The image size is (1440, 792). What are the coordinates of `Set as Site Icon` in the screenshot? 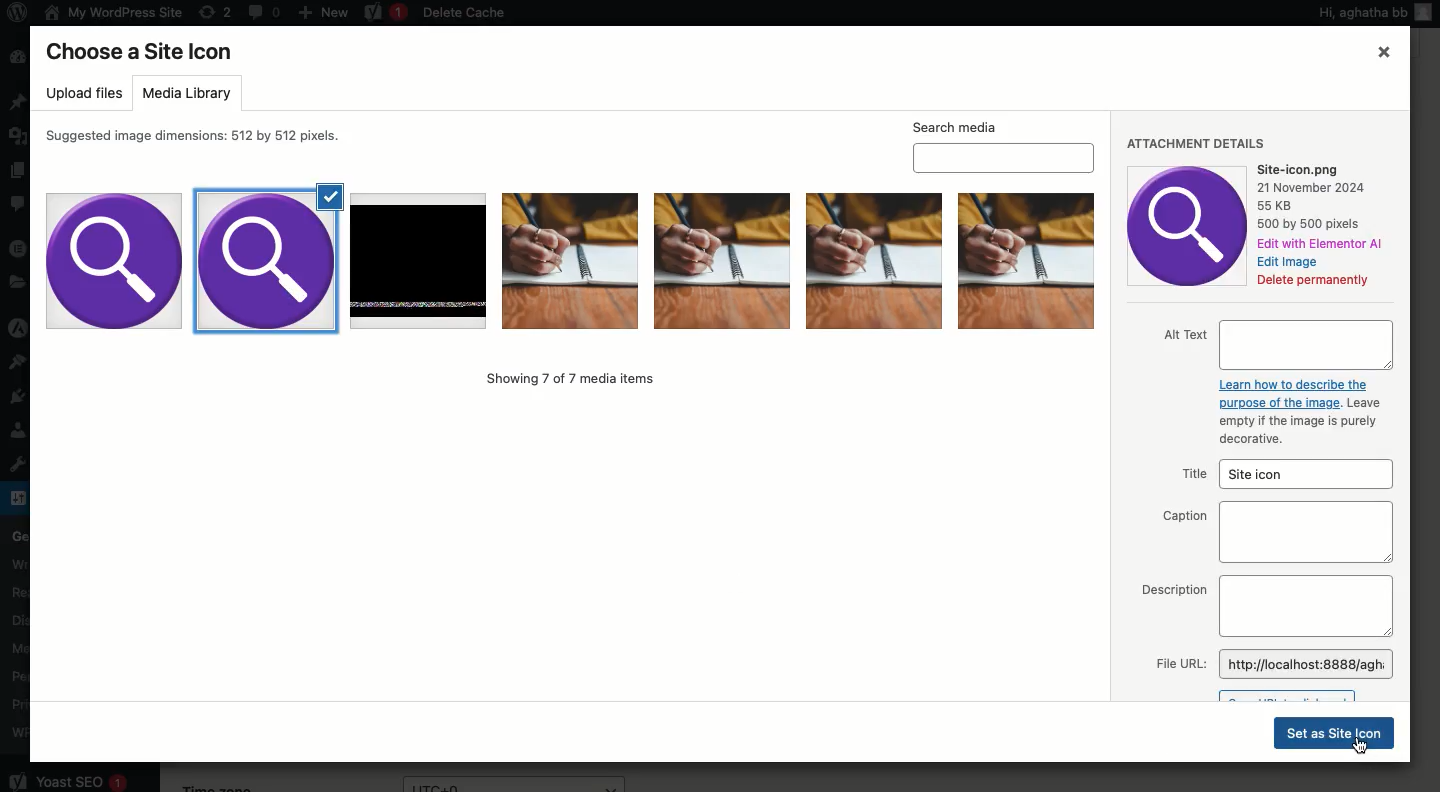 It's located at (1333, 732).